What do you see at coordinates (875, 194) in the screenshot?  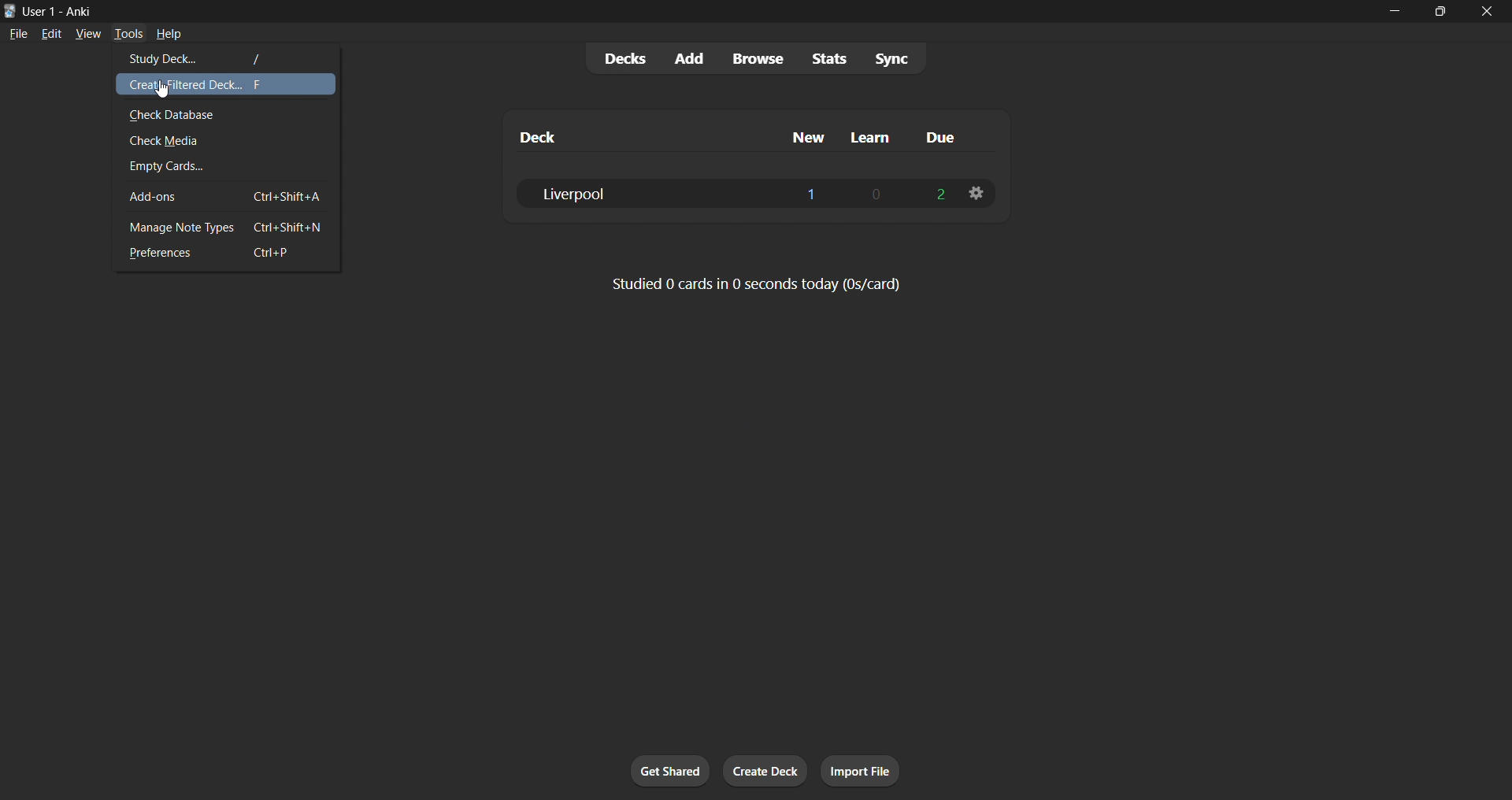 I see `0` at bounding box center [875, 194].